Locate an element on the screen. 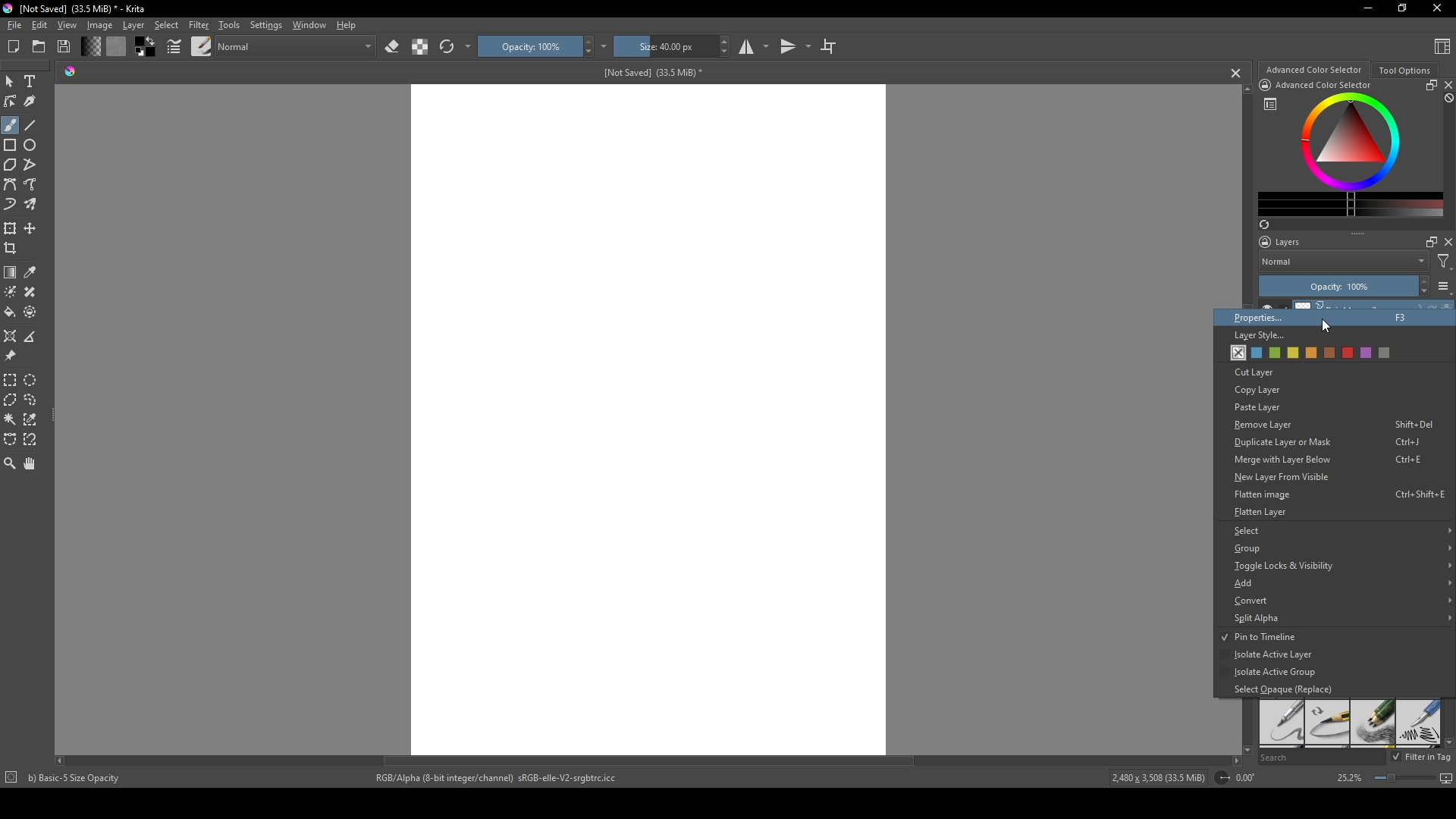 The height and width of the screenshot is (819, 1456). pointers is located at coordinates (174, 47).